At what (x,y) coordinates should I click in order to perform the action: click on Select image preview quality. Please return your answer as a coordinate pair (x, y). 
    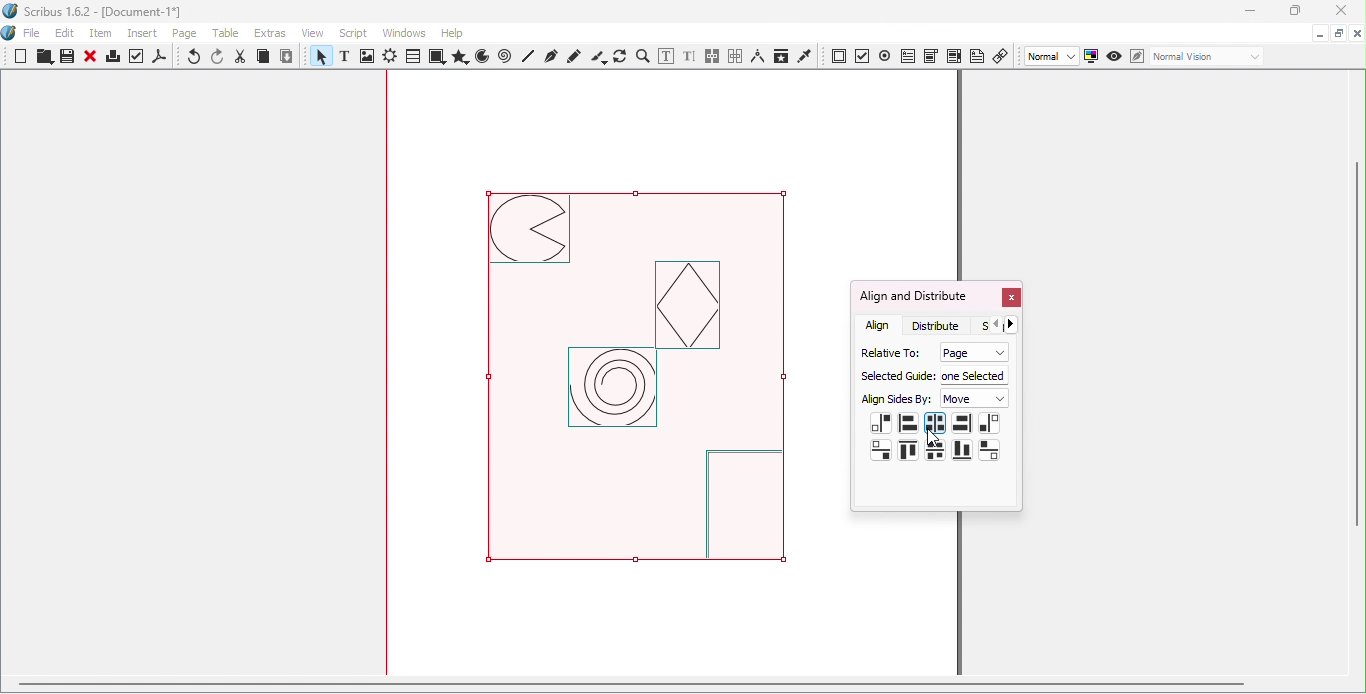
    Looking at the image, I should click on (1053, 57).